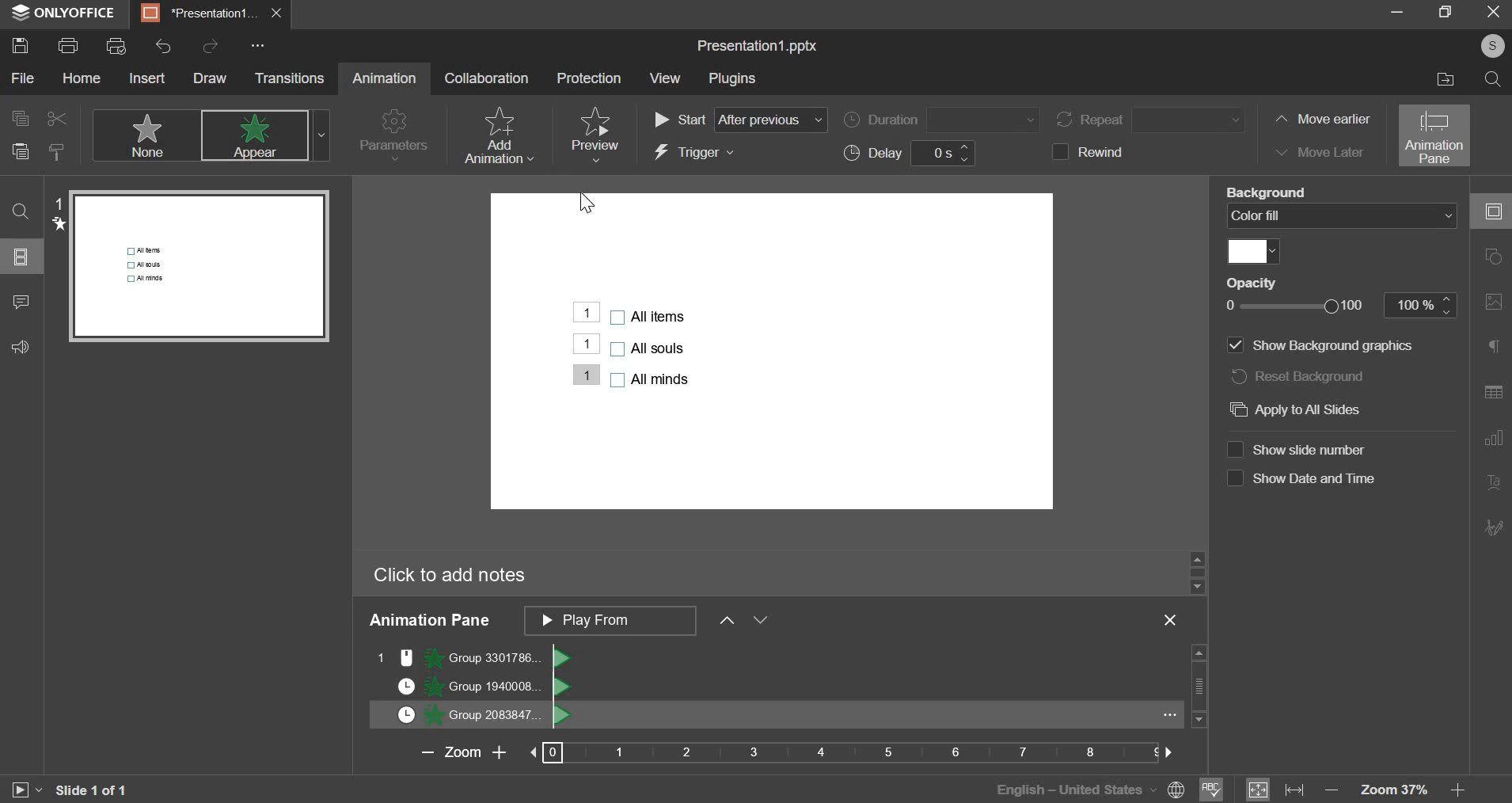 This screenshot has height=803, width=1512. What do you see at coordinates (487, 77) in the screenshot?
I see `collaboration` at bounding box center [487, 77].